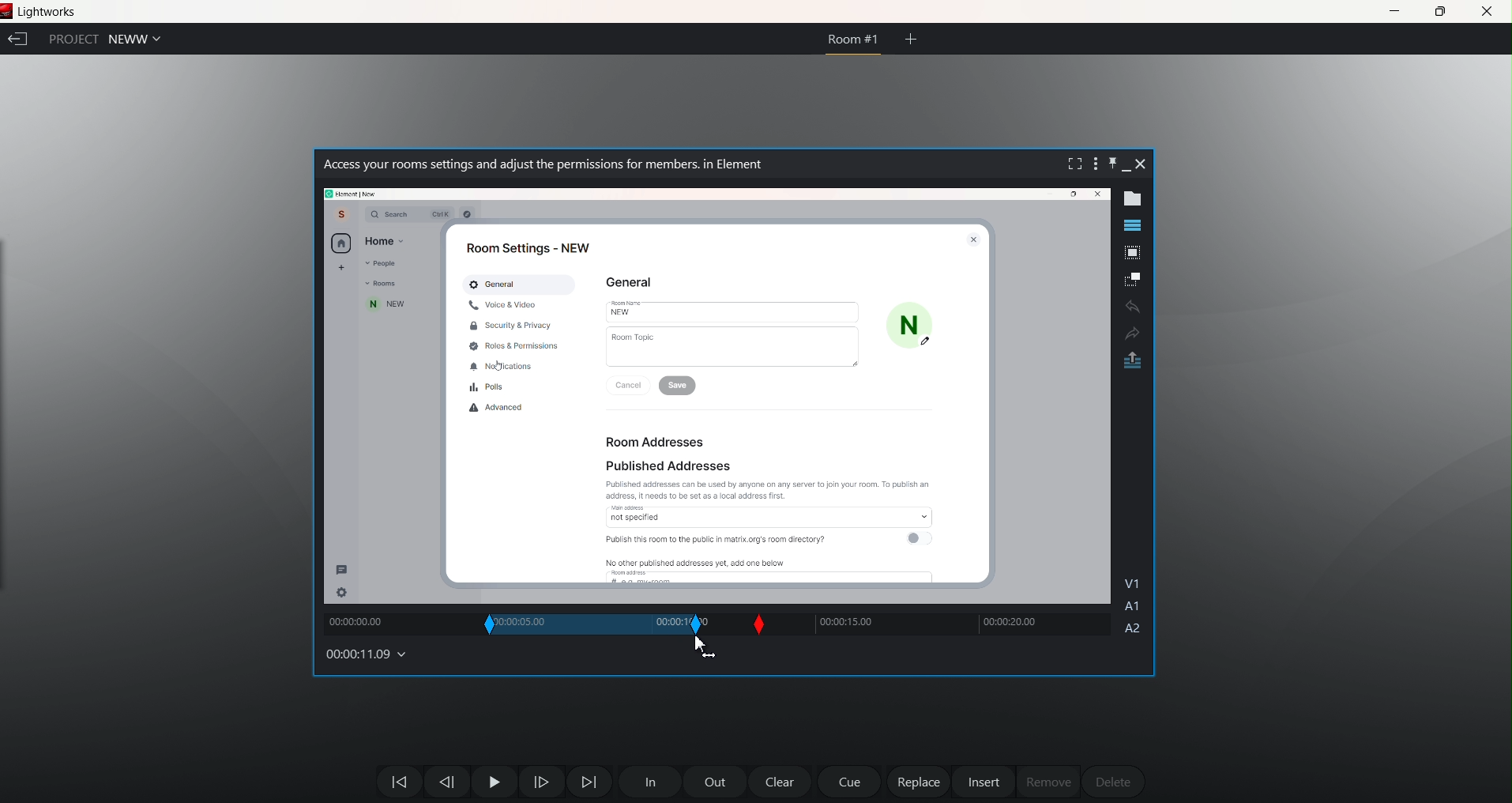 The height and width of the screenshot is (803, 1512). I want to click on close, so click(1095, 195).